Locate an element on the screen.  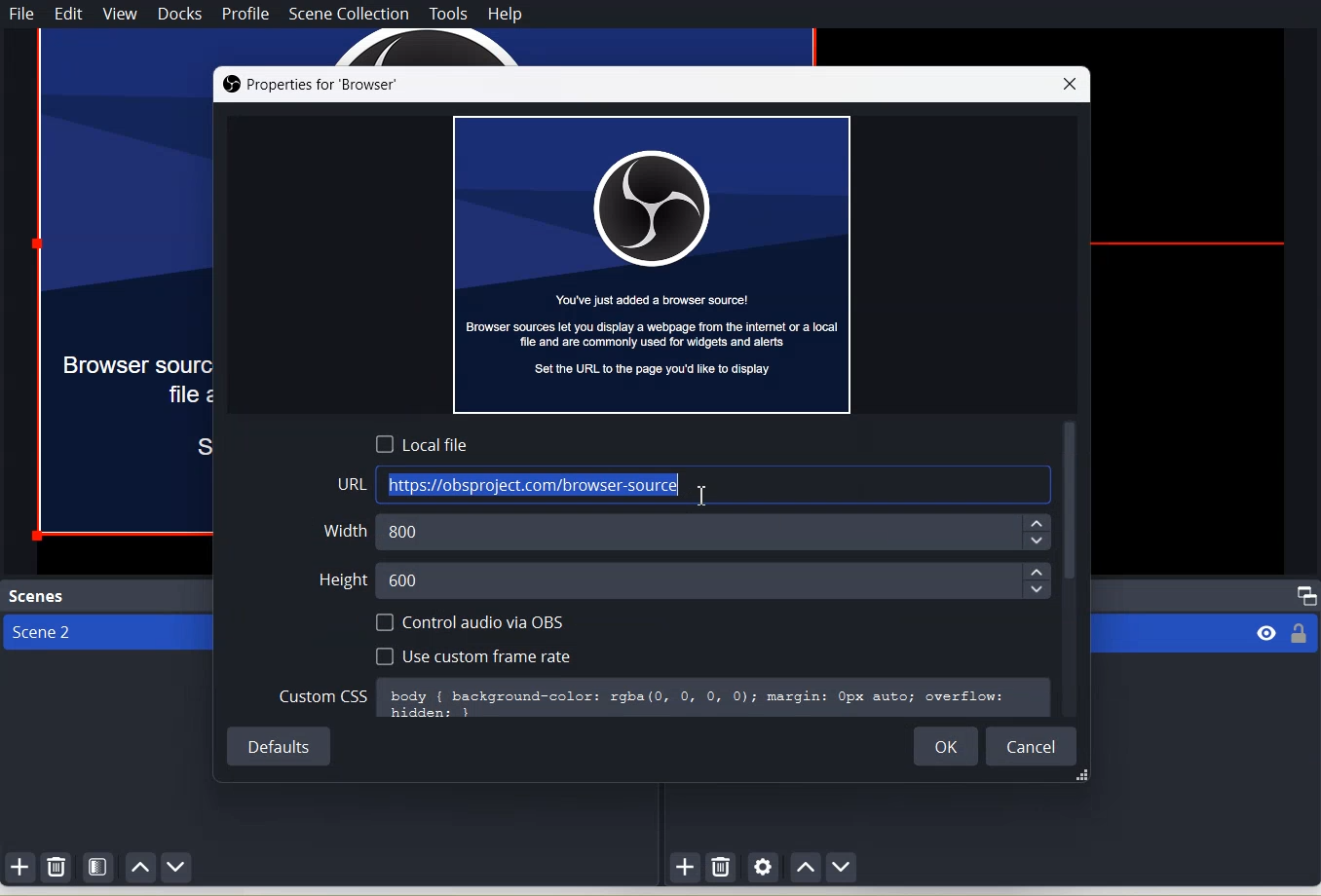
Text is located at coordinates (39, 596).